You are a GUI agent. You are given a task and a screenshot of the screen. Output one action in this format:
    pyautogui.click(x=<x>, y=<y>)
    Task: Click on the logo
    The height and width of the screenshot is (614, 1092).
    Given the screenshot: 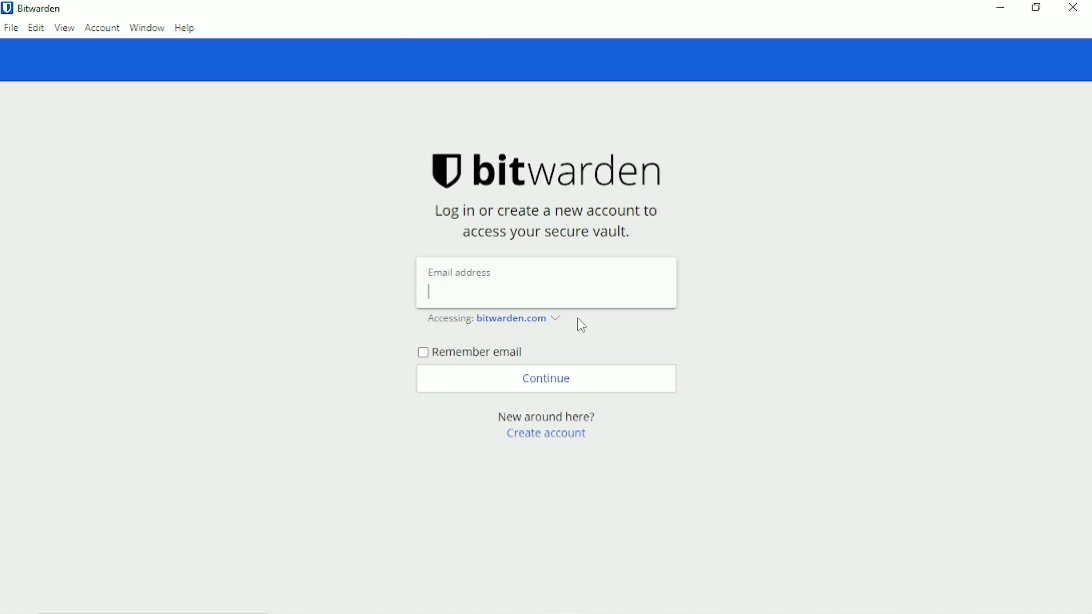 What is the action you would take?
    pyautogui.click(x=445, y=169)
    